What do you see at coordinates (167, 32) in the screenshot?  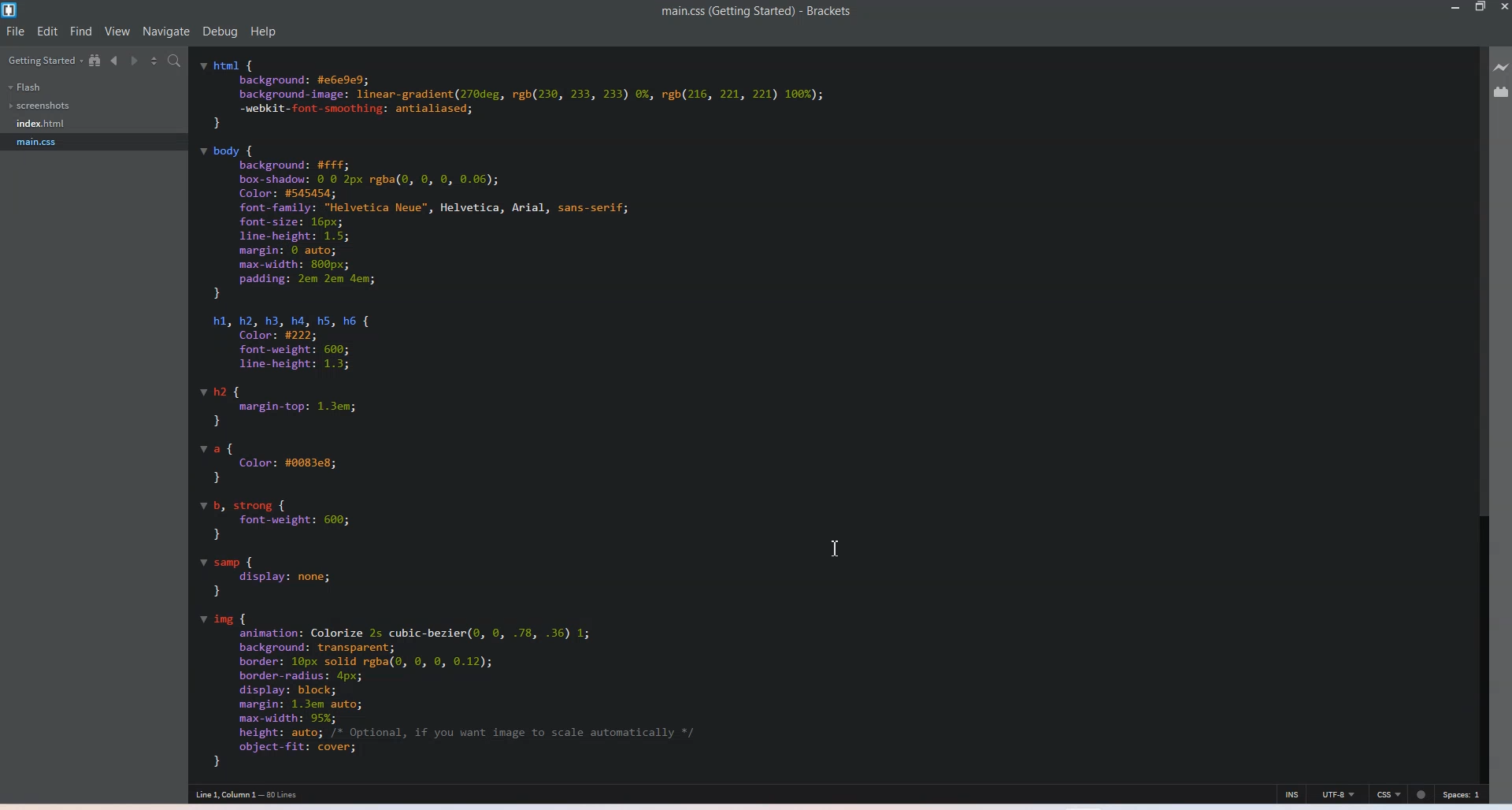 I see `Navigate` at bounding box center [167, 32].